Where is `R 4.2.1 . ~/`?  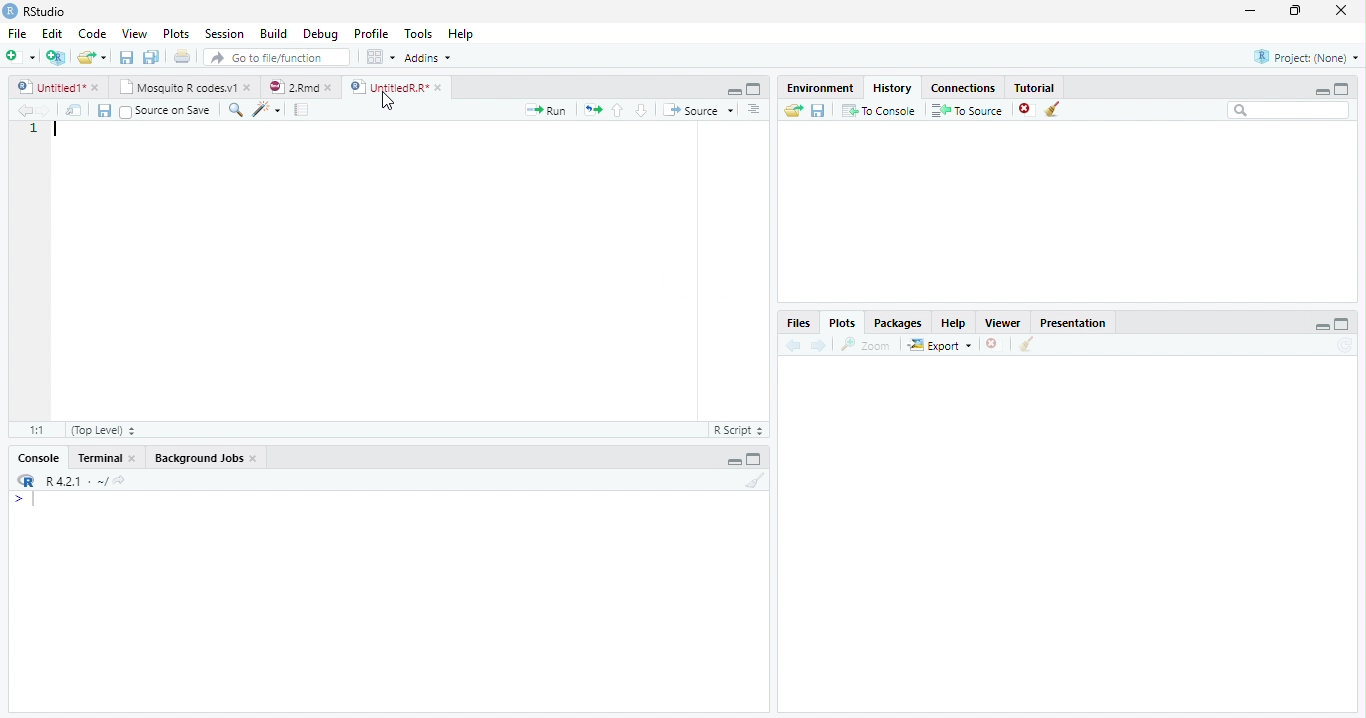 R 4.2.1 . ~/ is located at coordinates (76, 481).